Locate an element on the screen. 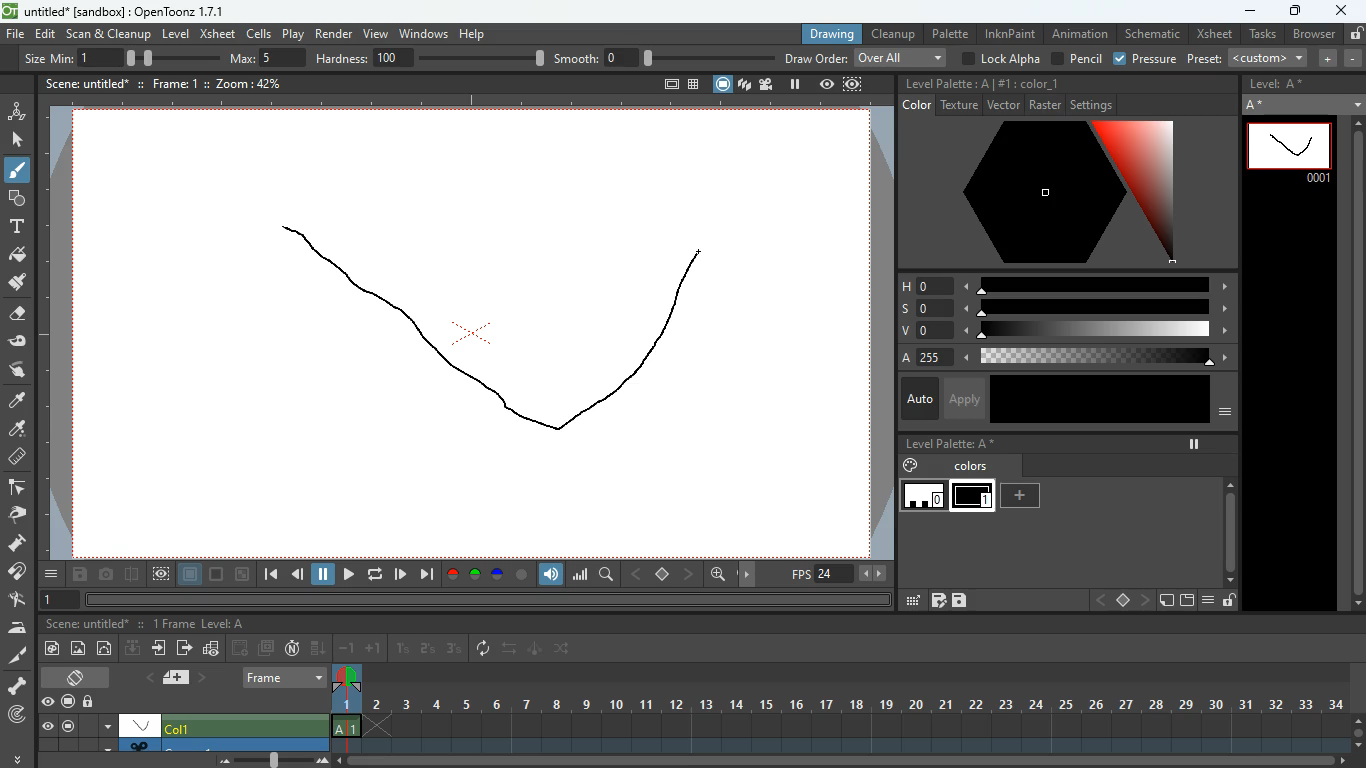 The width and height of the screenshot is (1366, 768). frames is located at coordinates (170, 624).